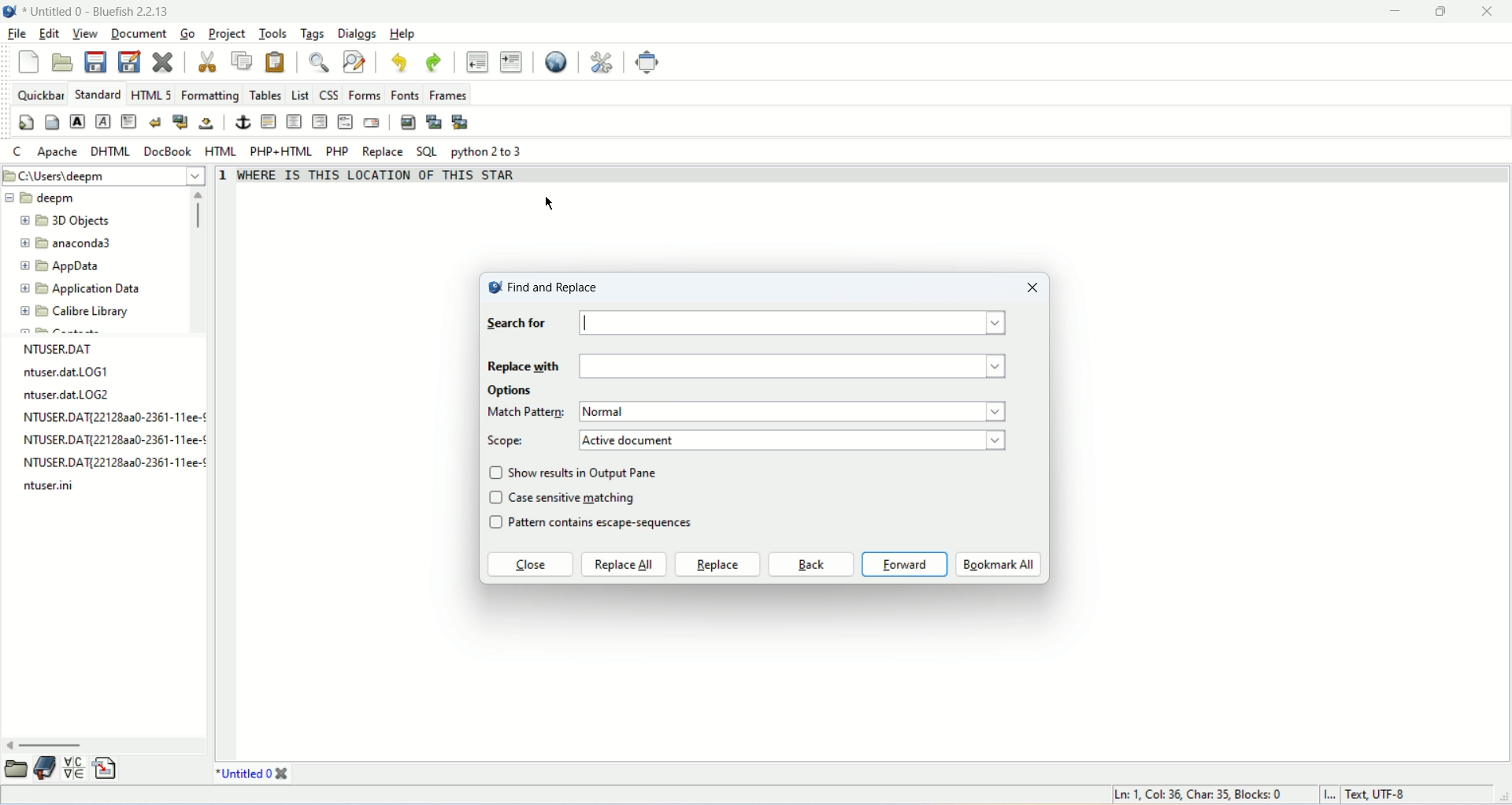  What do you see at coordinates (490, 152) in the screenshot?
I see `python 2 to 3` at bounding box center [490, 152].